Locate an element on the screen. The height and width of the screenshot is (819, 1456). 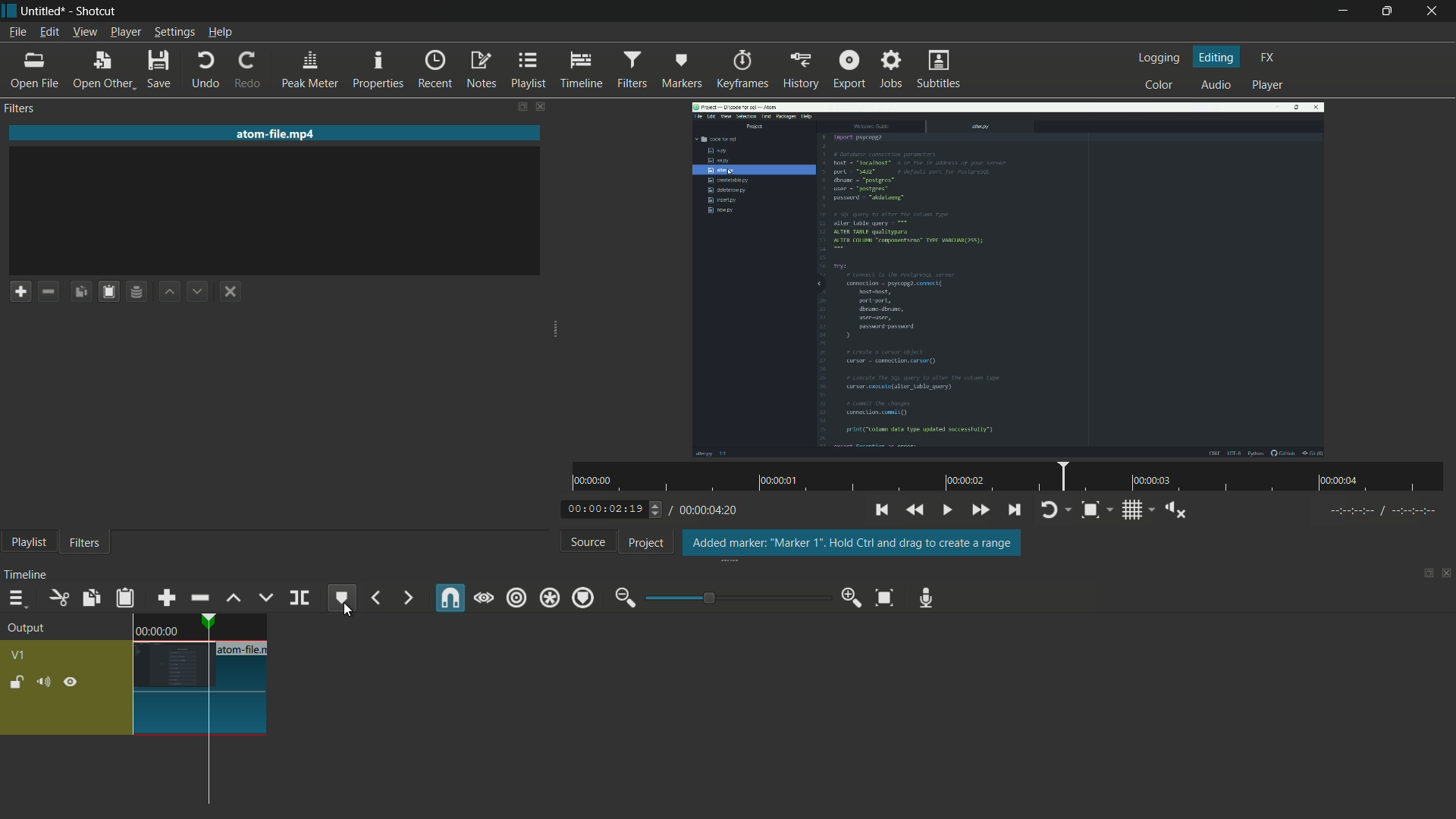
settings menu is located at coordinates (172, 33).